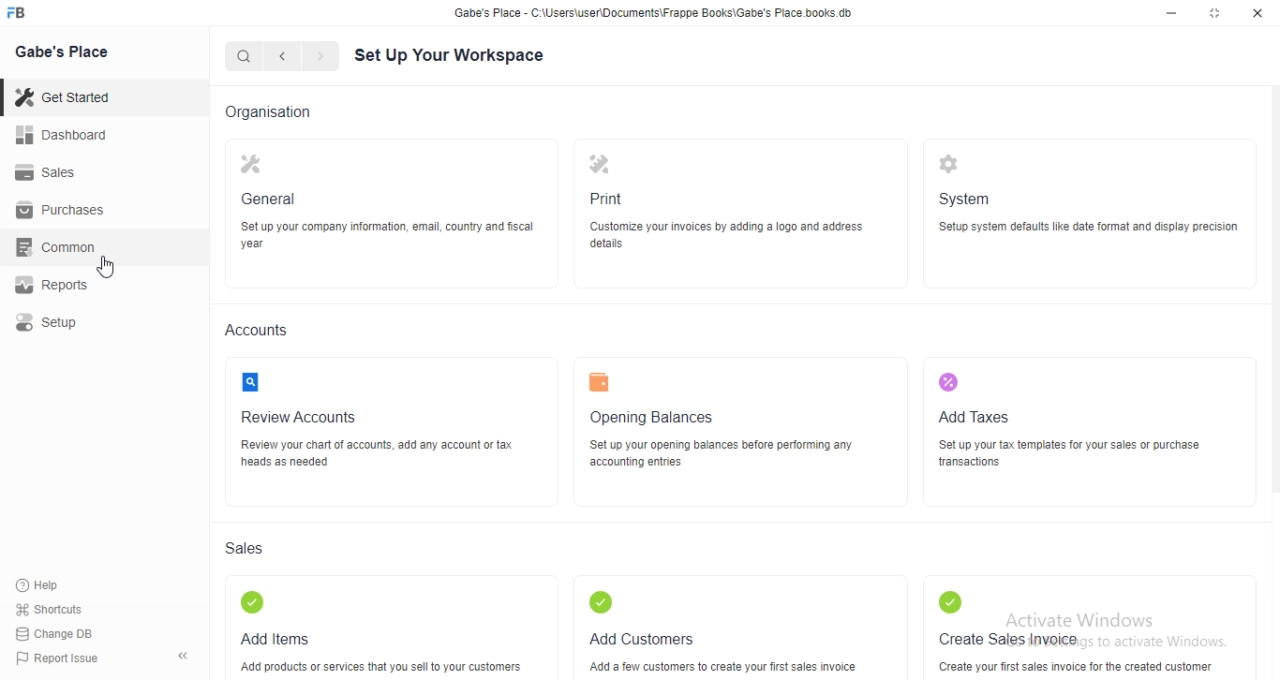 The height and width of the screenshot is (680, 1280). I want to click on ‘Shortcuts, so click(62, 609).